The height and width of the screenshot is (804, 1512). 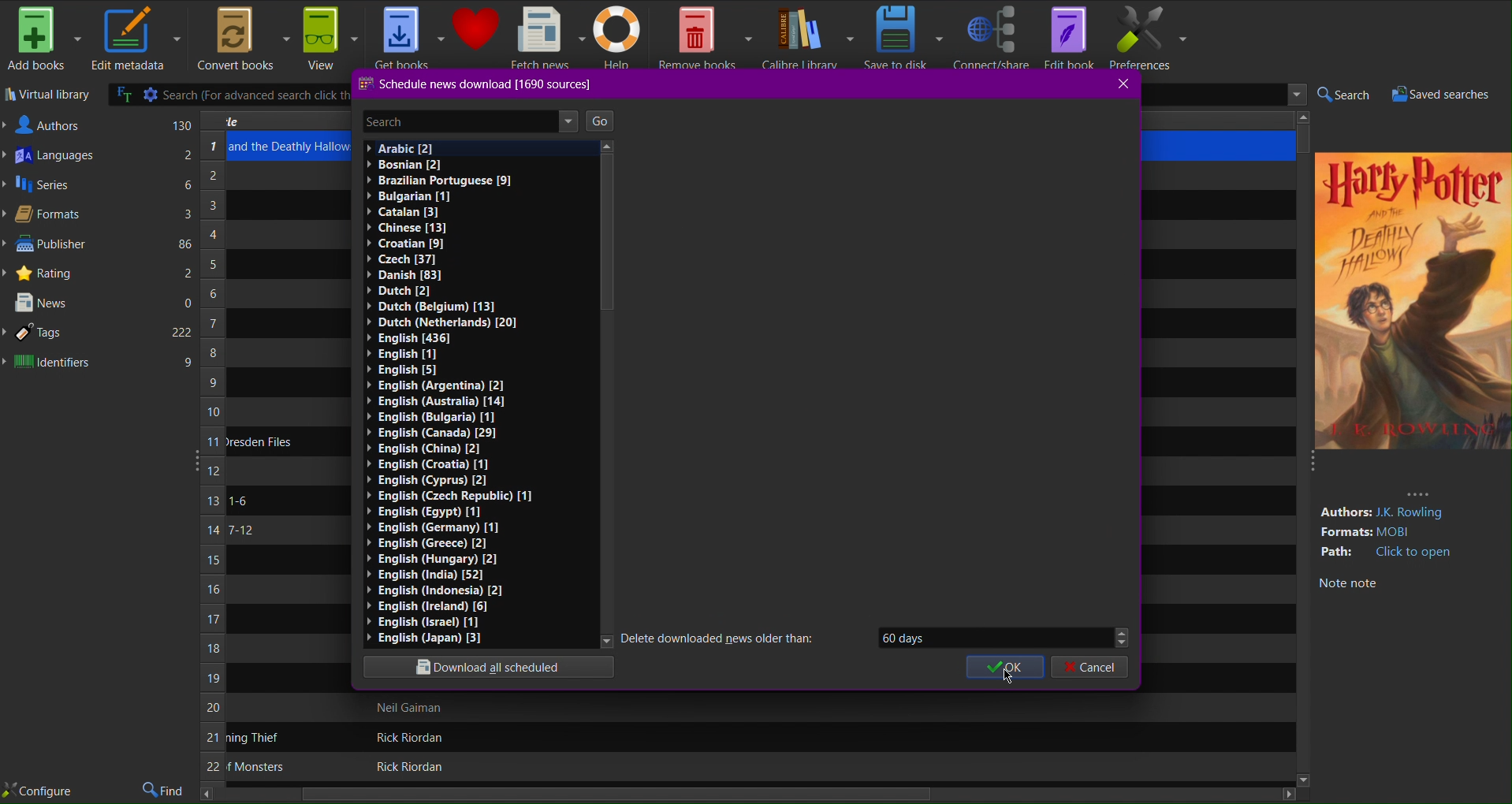 I want to click on Identifiers, so click(x=99, y=363).